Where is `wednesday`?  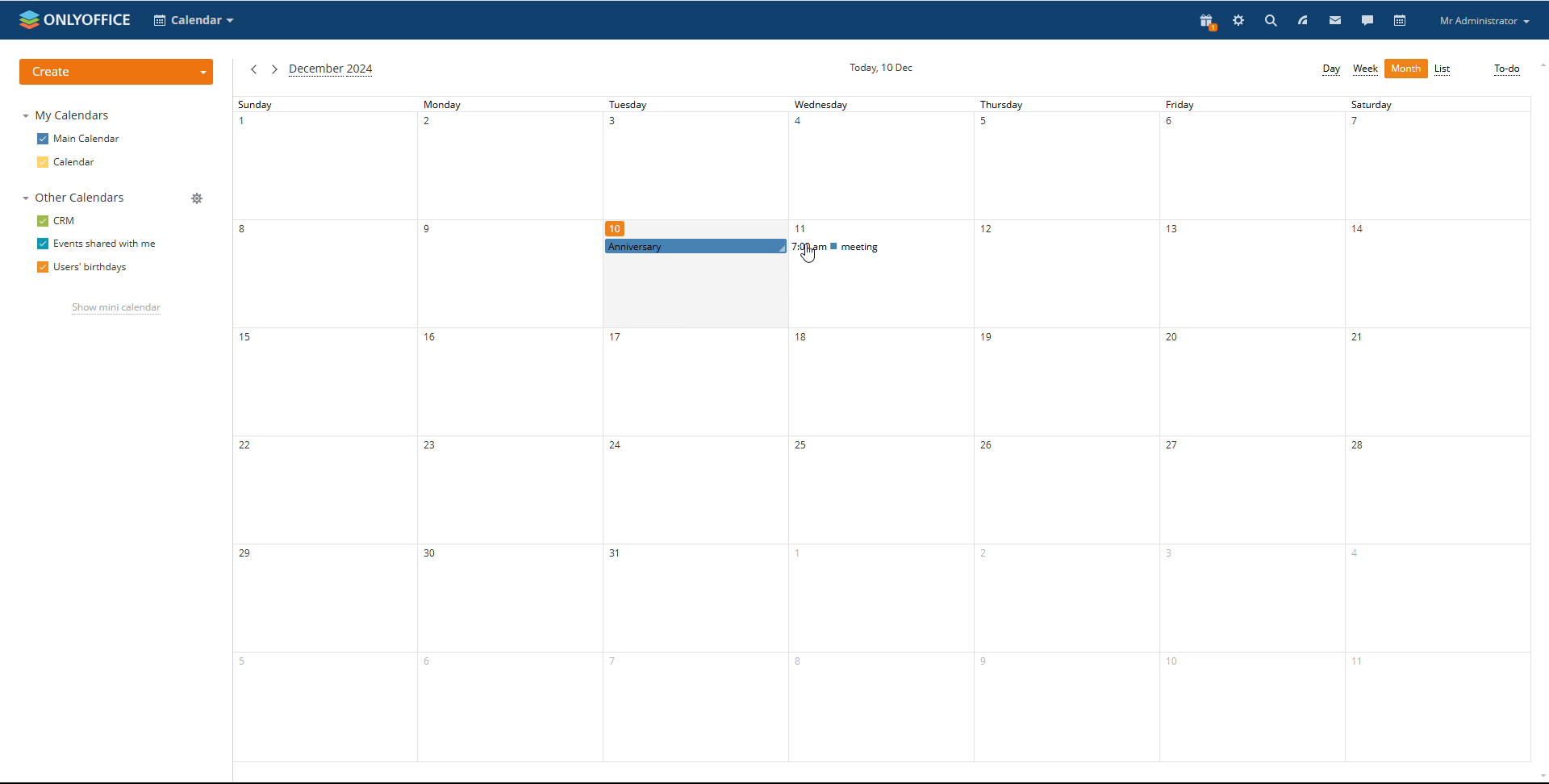 wednesday is located at coordinates (877, 511).